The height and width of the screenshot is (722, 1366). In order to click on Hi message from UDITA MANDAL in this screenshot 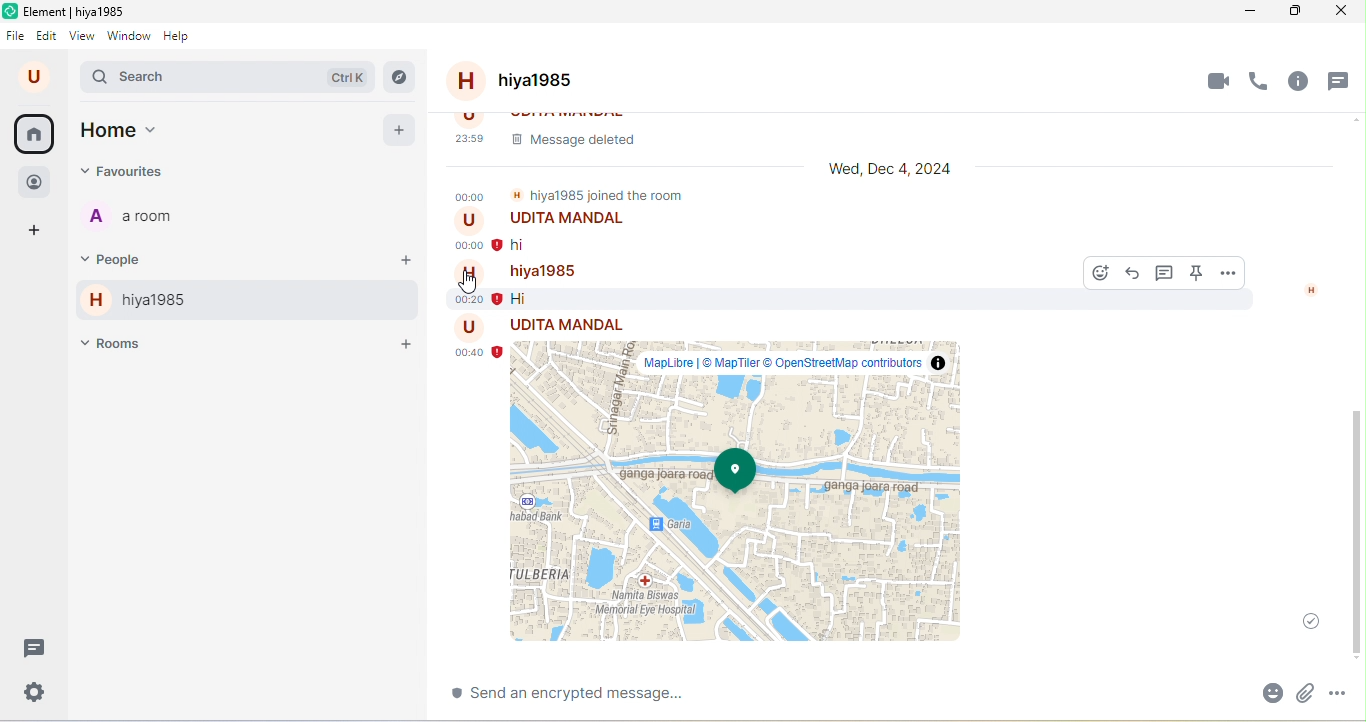, I will do `click(598, 234)`.